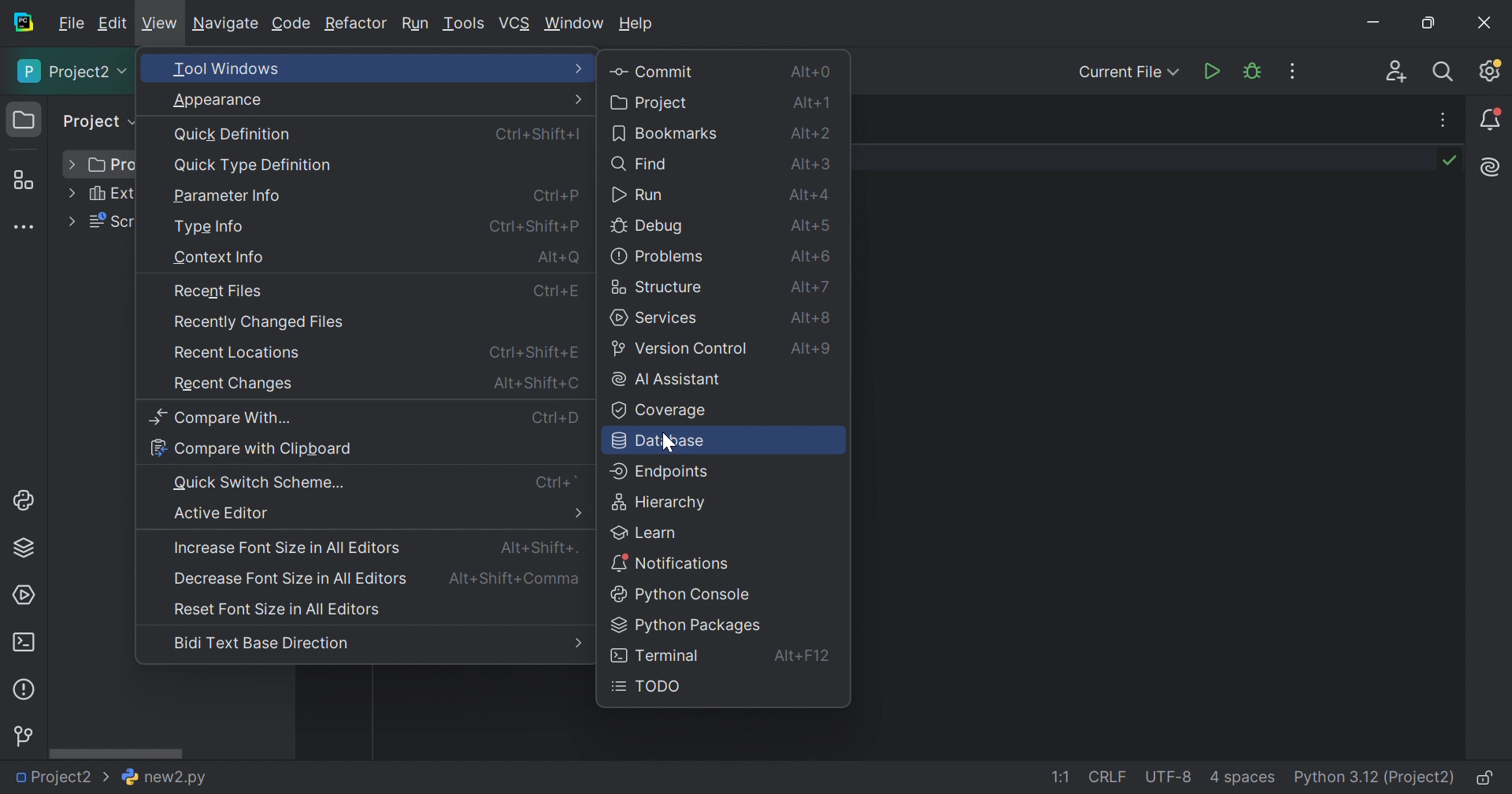 Image resolution: width=1512 pixels, height=794 pixels. Describe the element at coordinates (26, 689) in the screenshot. I see `Problems` at that location.